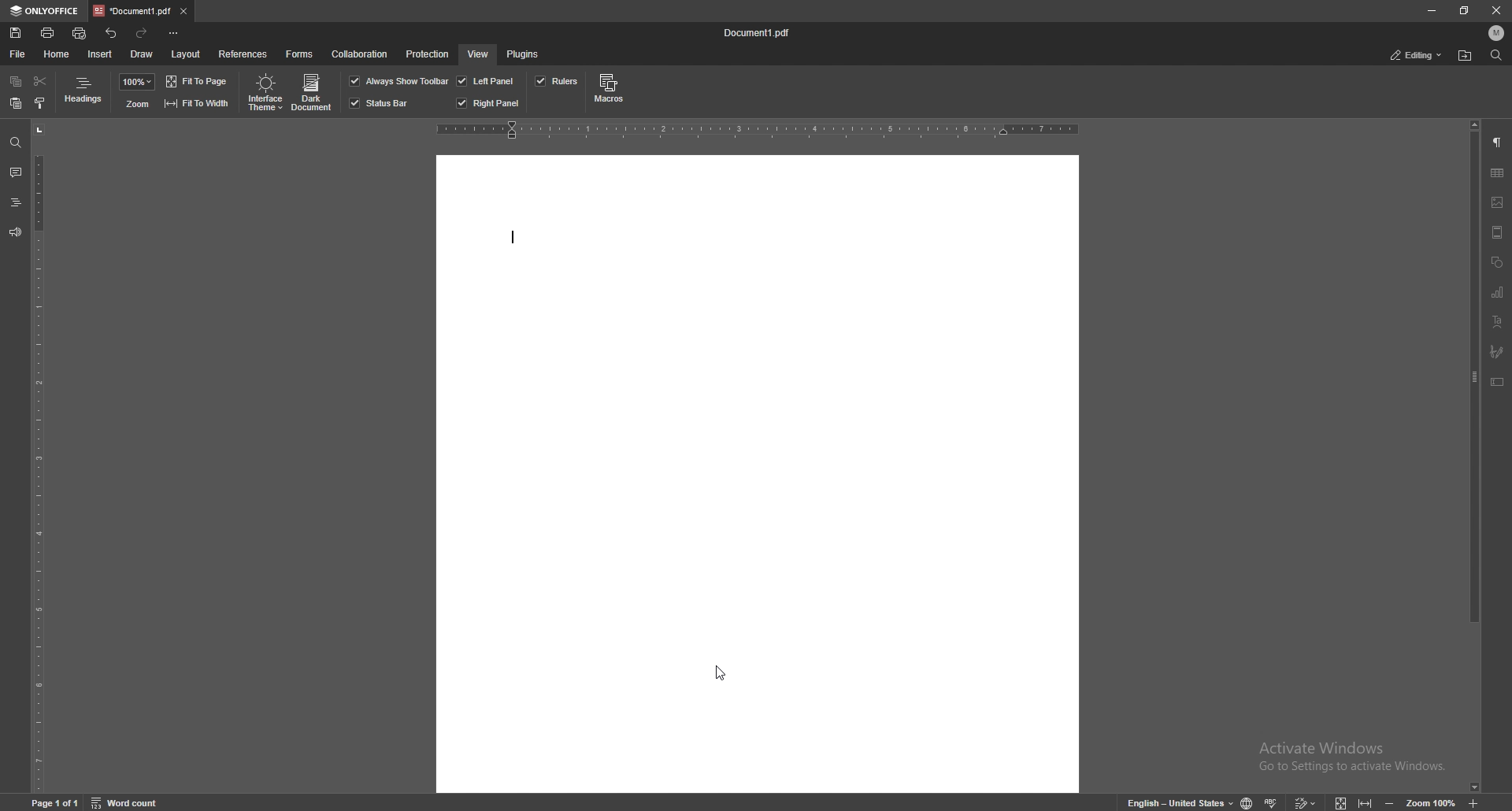  What do you see at coordinates (39, 81) in the screenshot?
I see `cut` at bounding box center [39, 81].